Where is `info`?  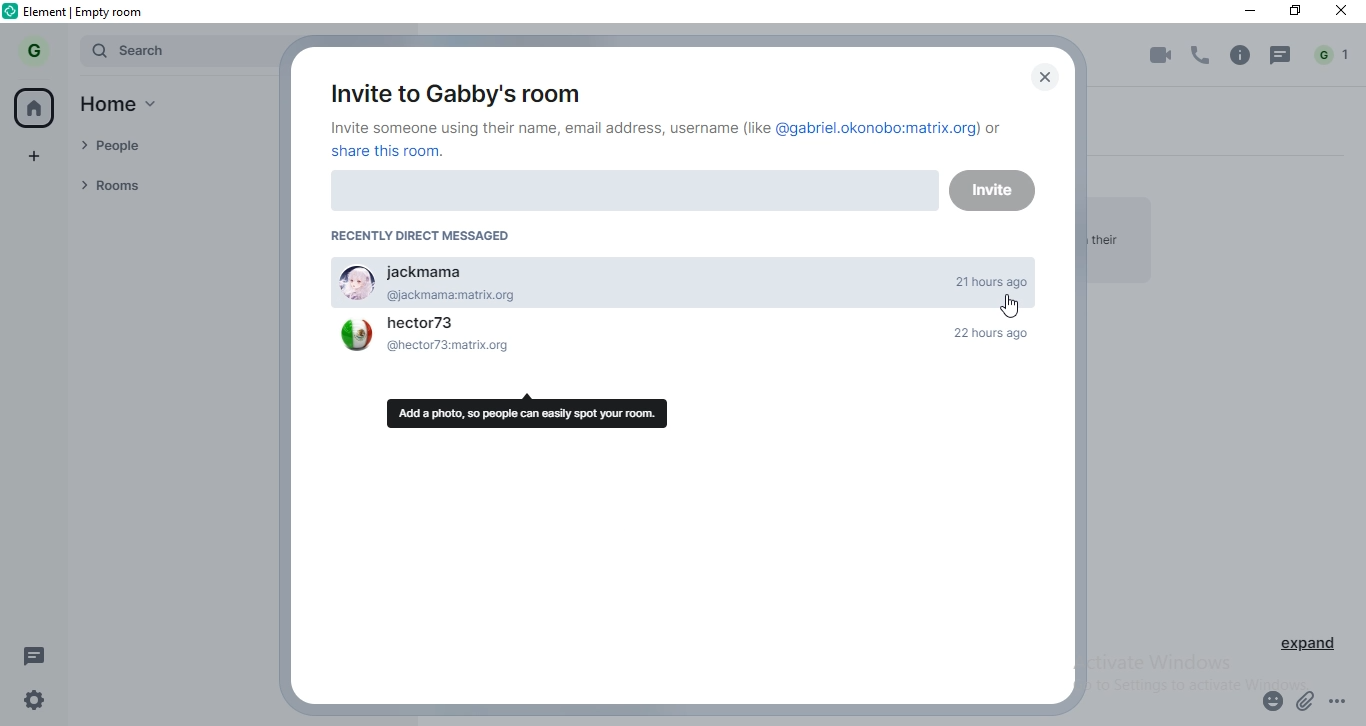
info is located at coordinates (1240, 55).